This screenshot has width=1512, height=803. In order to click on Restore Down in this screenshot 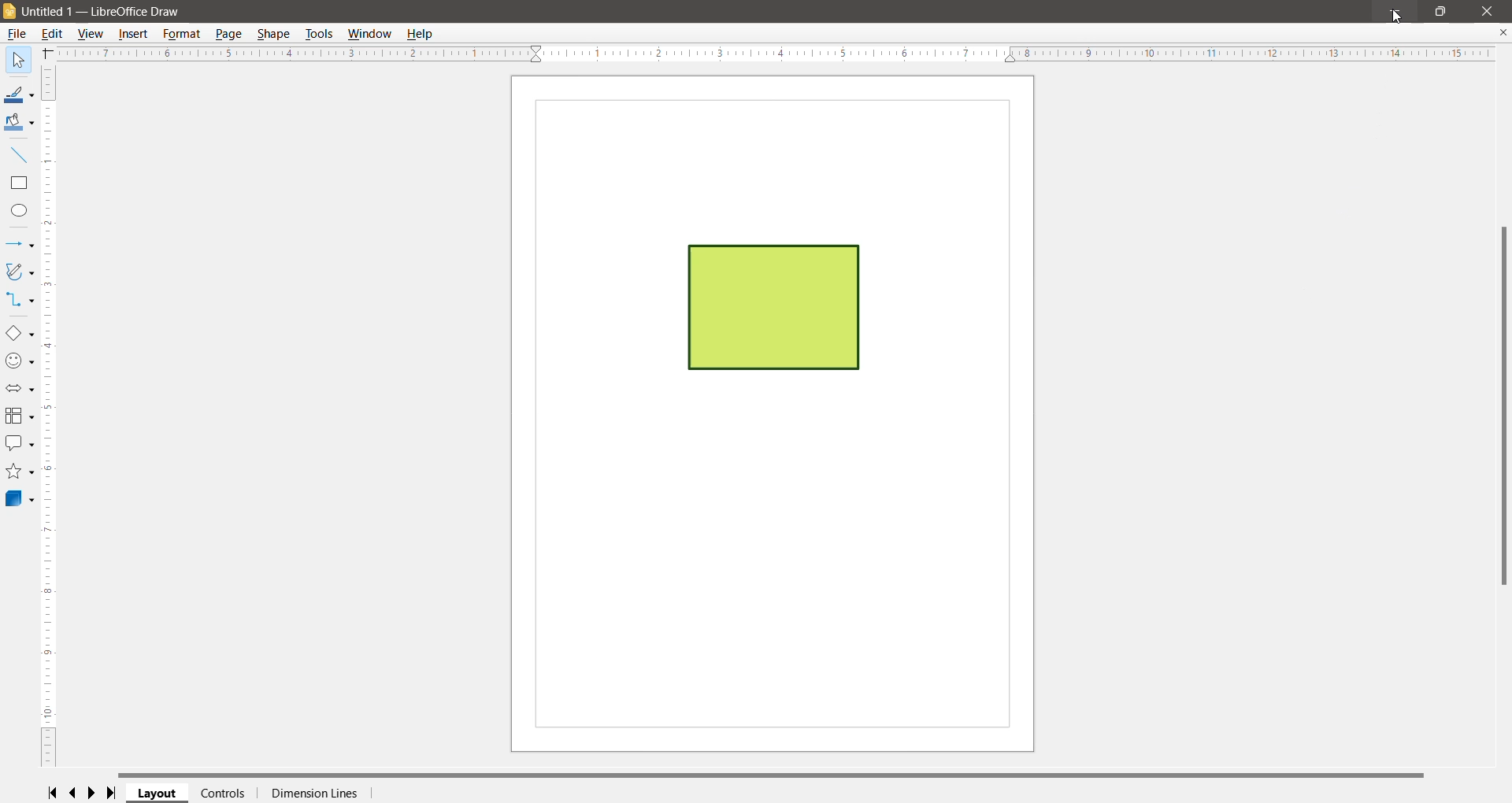, I will do `click(1440, 9)`.